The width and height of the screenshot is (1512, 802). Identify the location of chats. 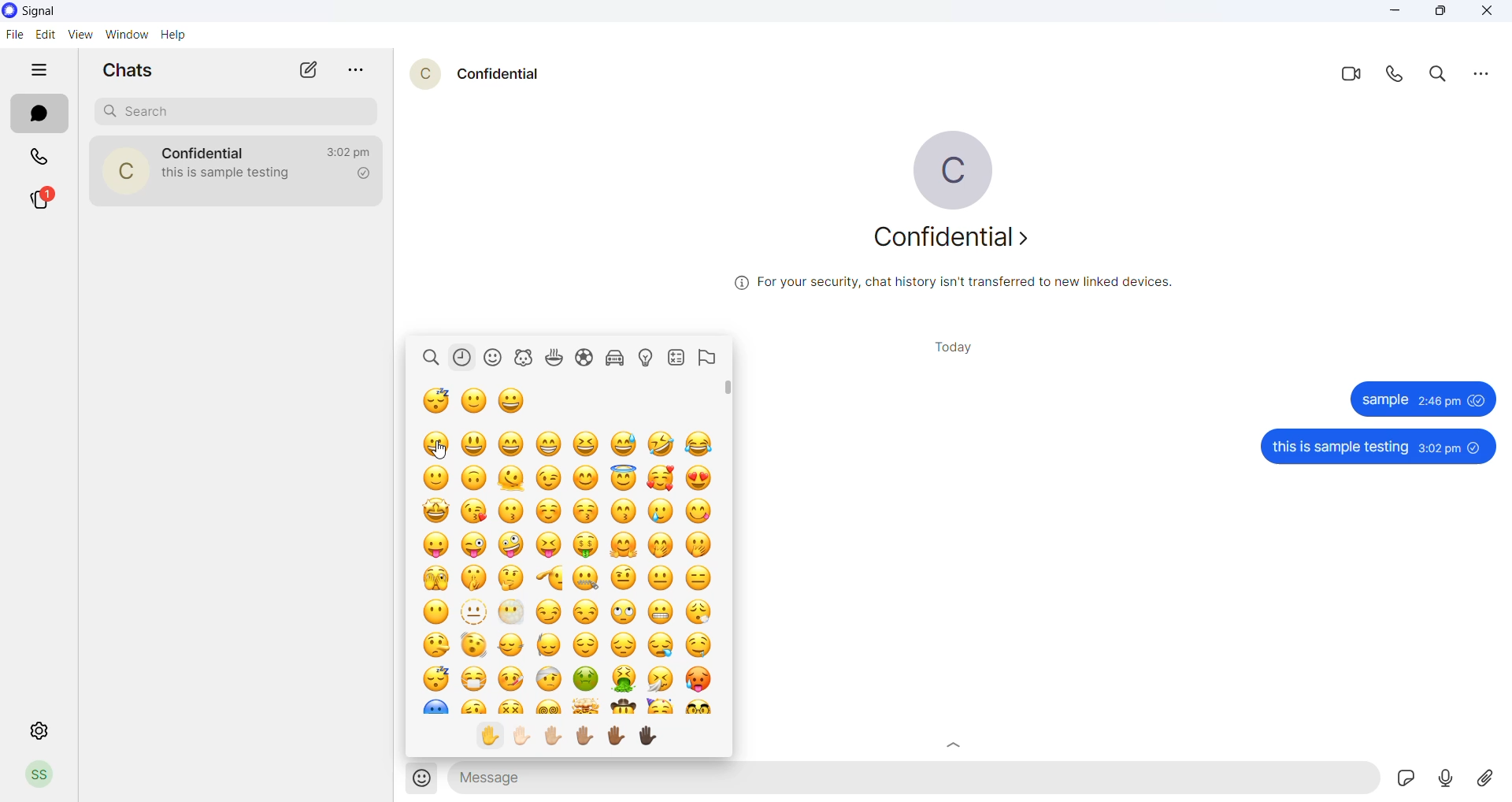
(39, 114).